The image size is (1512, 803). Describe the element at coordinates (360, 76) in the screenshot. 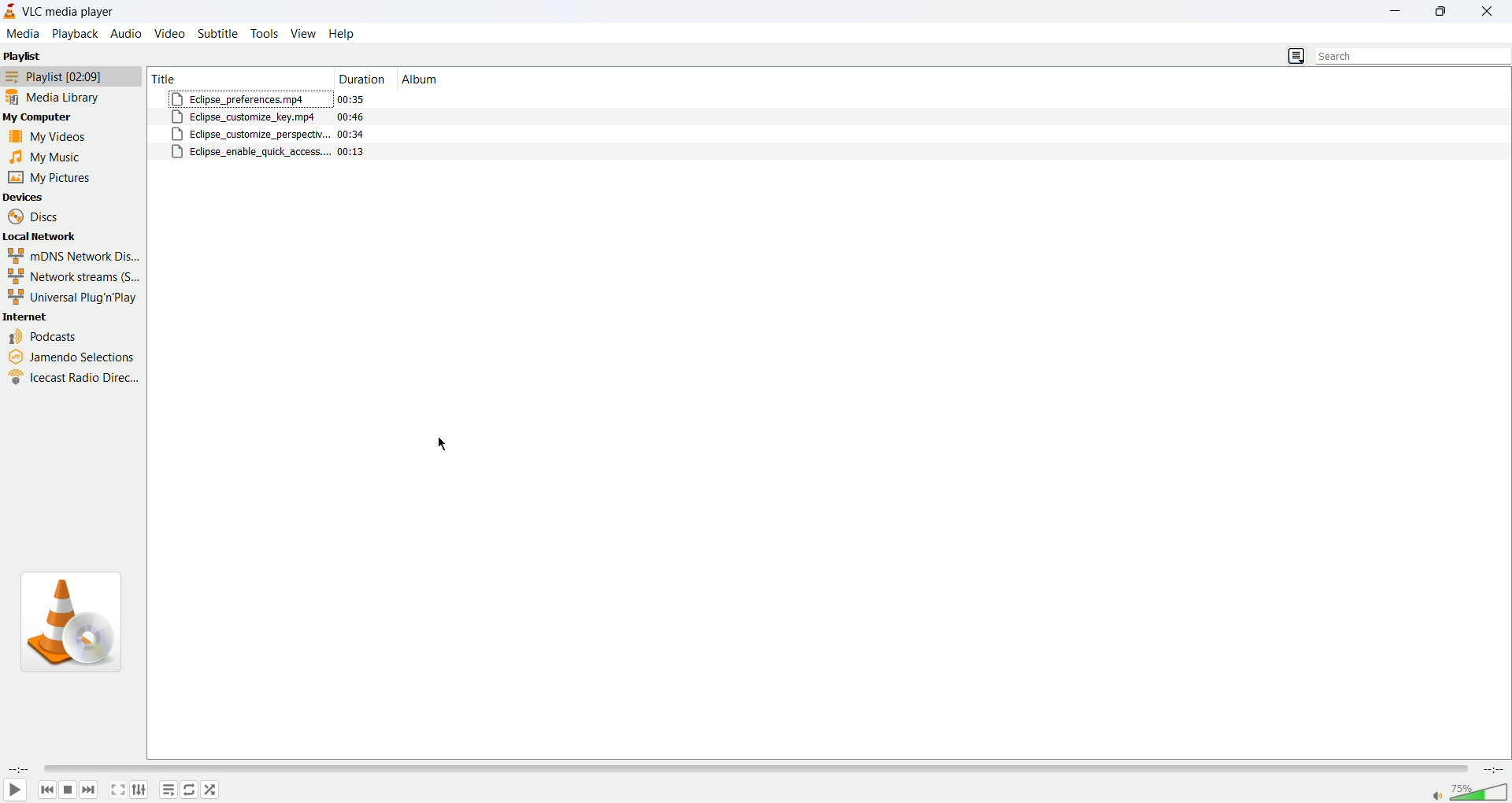

I see `duration` at that location.